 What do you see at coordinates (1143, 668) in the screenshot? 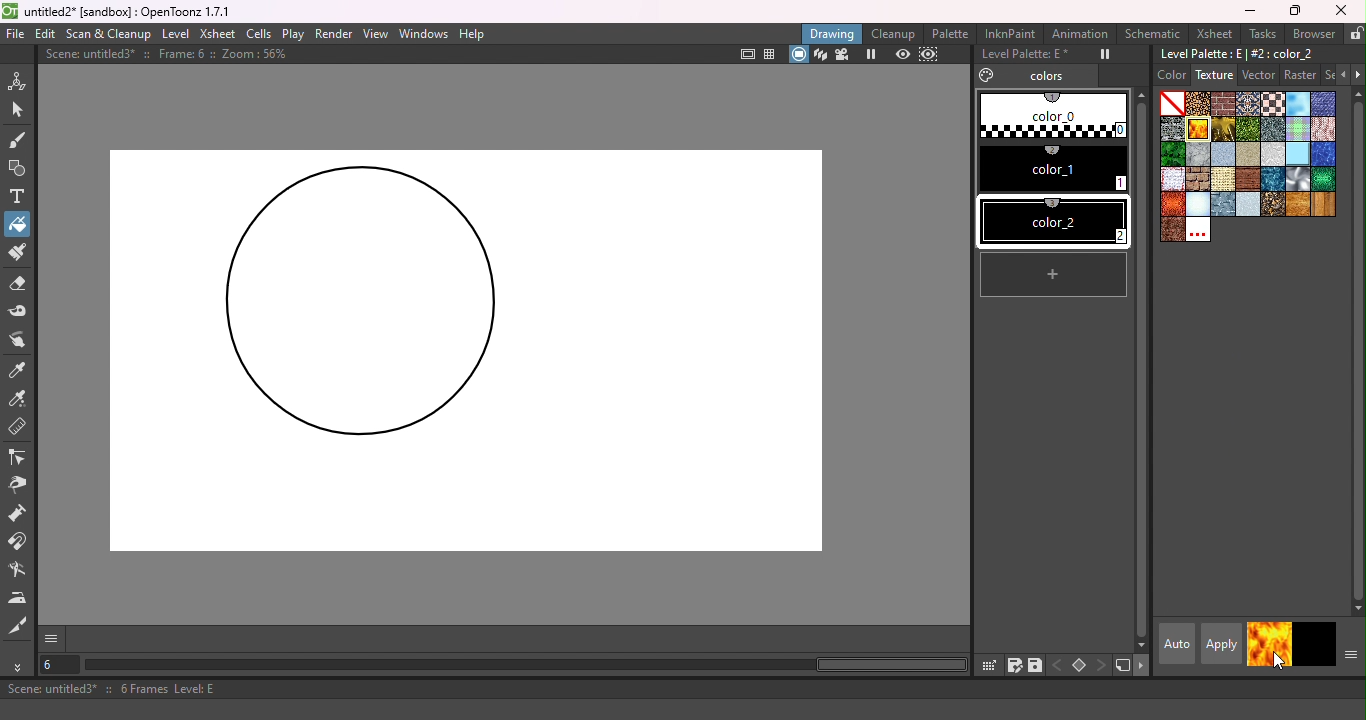
I see `next ` at bounding box center [1143, 668].